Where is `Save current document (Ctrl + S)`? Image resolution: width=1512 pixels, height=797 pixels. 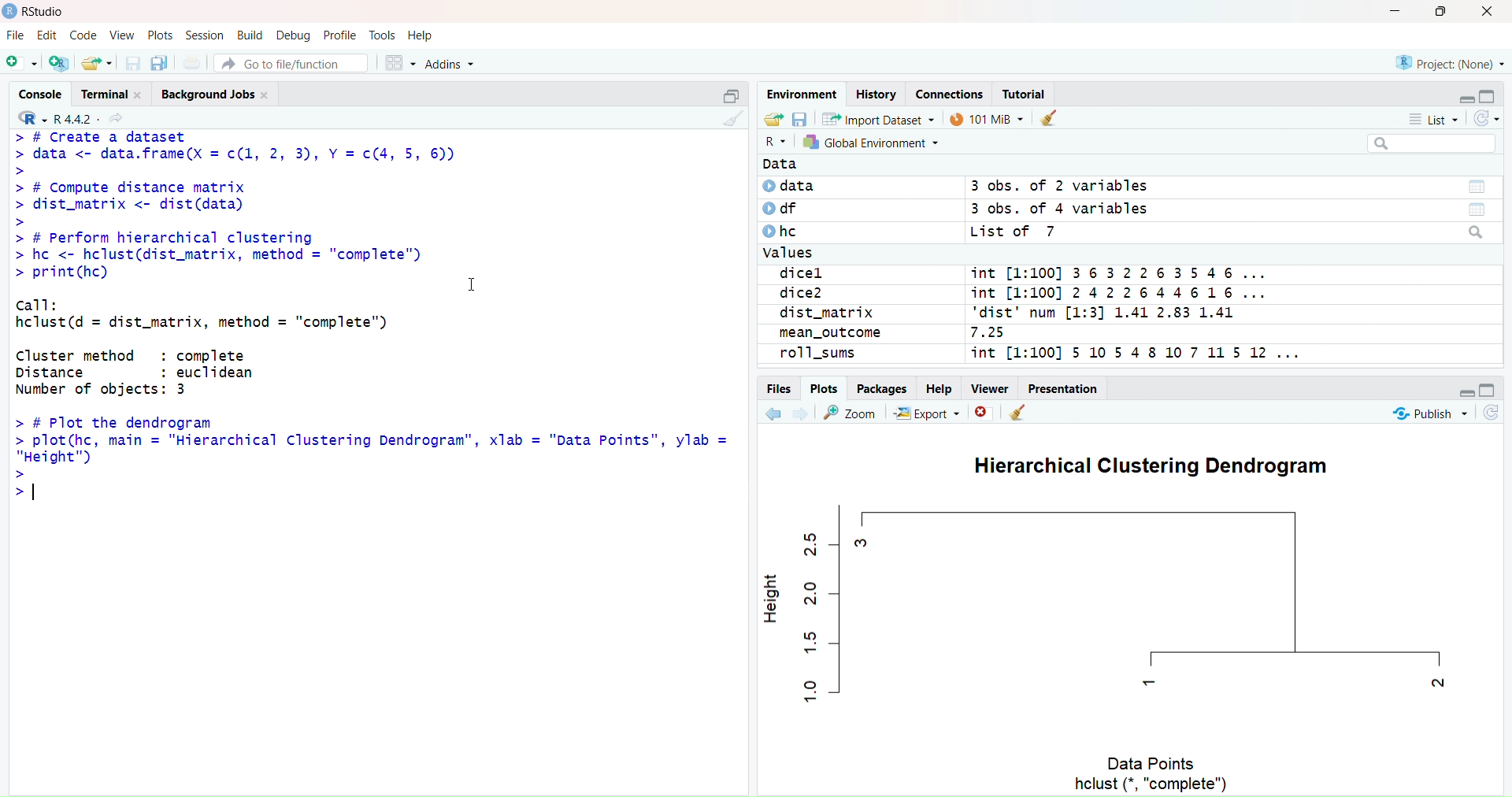
Save current document (Ctrl + S) is located at coordinates (131, 61).